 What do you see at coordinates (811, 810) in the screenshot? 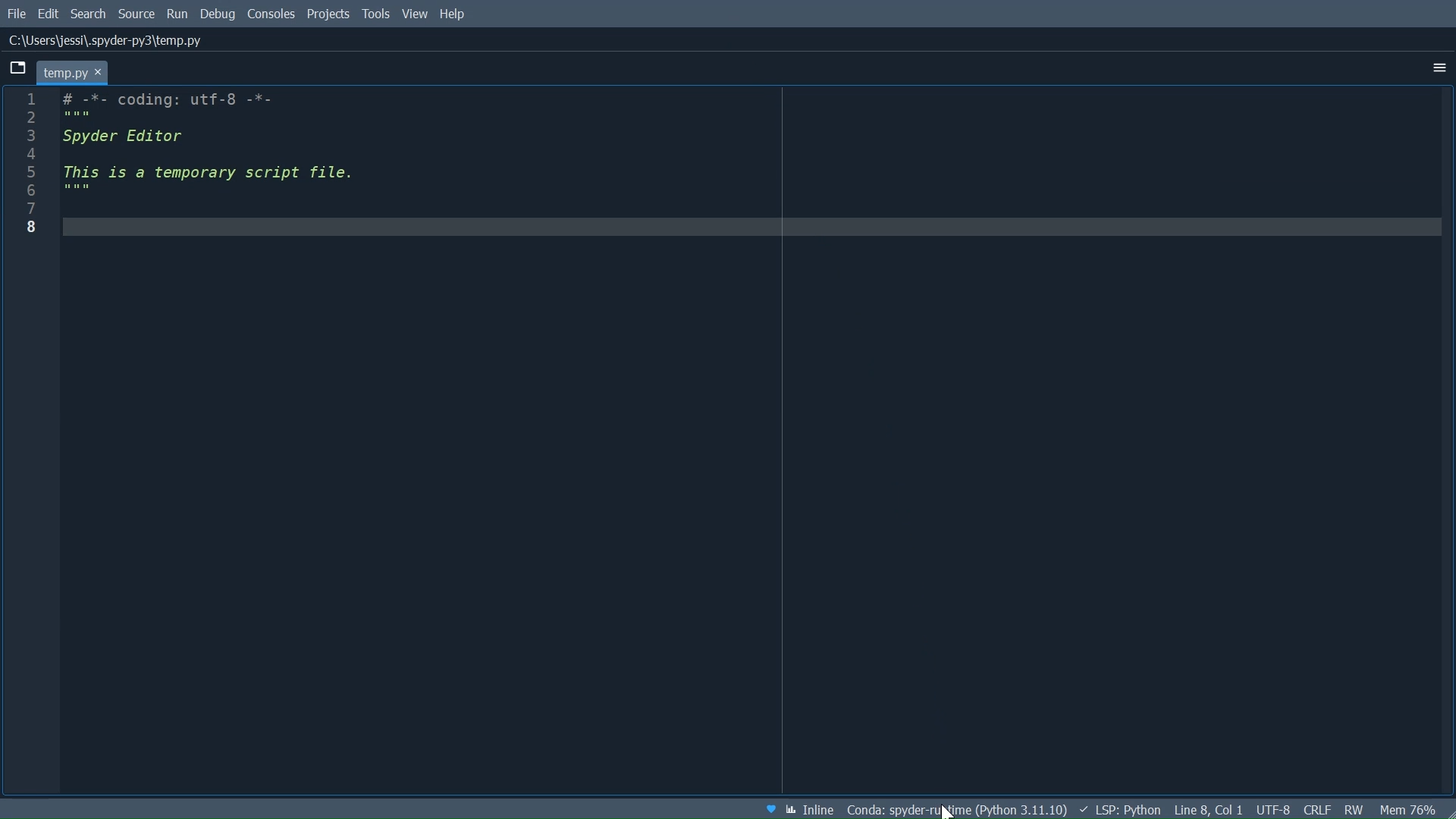
I see `Toggle between inline and interactive Matplotlib plotting` at bounding box center [811, 810].